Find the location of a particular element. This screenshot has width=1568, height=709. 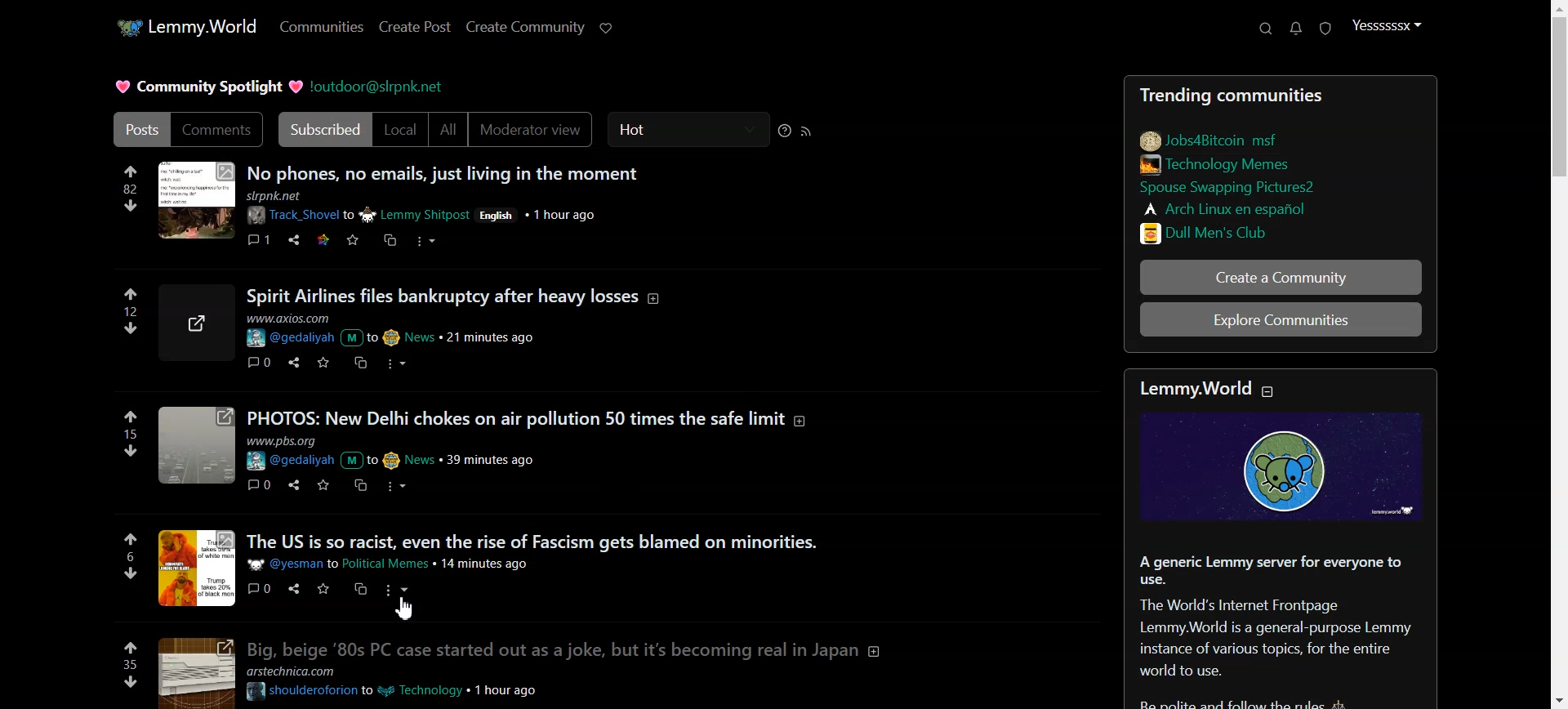

Local is located at coordinates (401, 130).